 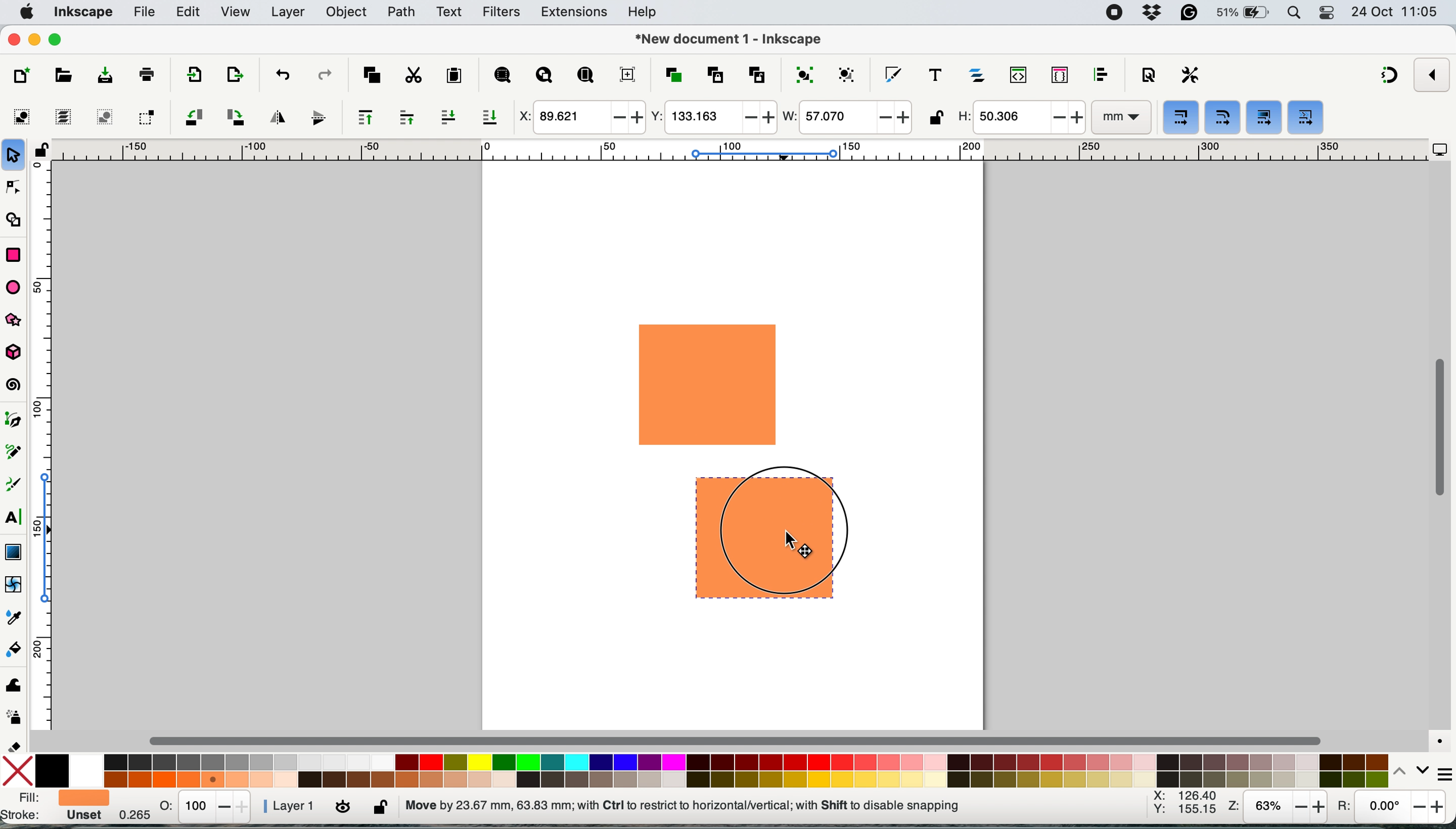 What do you see at coordinates (1436, 737) in the screenshot?
I see `color managed mode` at bounding box center [1436, 737].